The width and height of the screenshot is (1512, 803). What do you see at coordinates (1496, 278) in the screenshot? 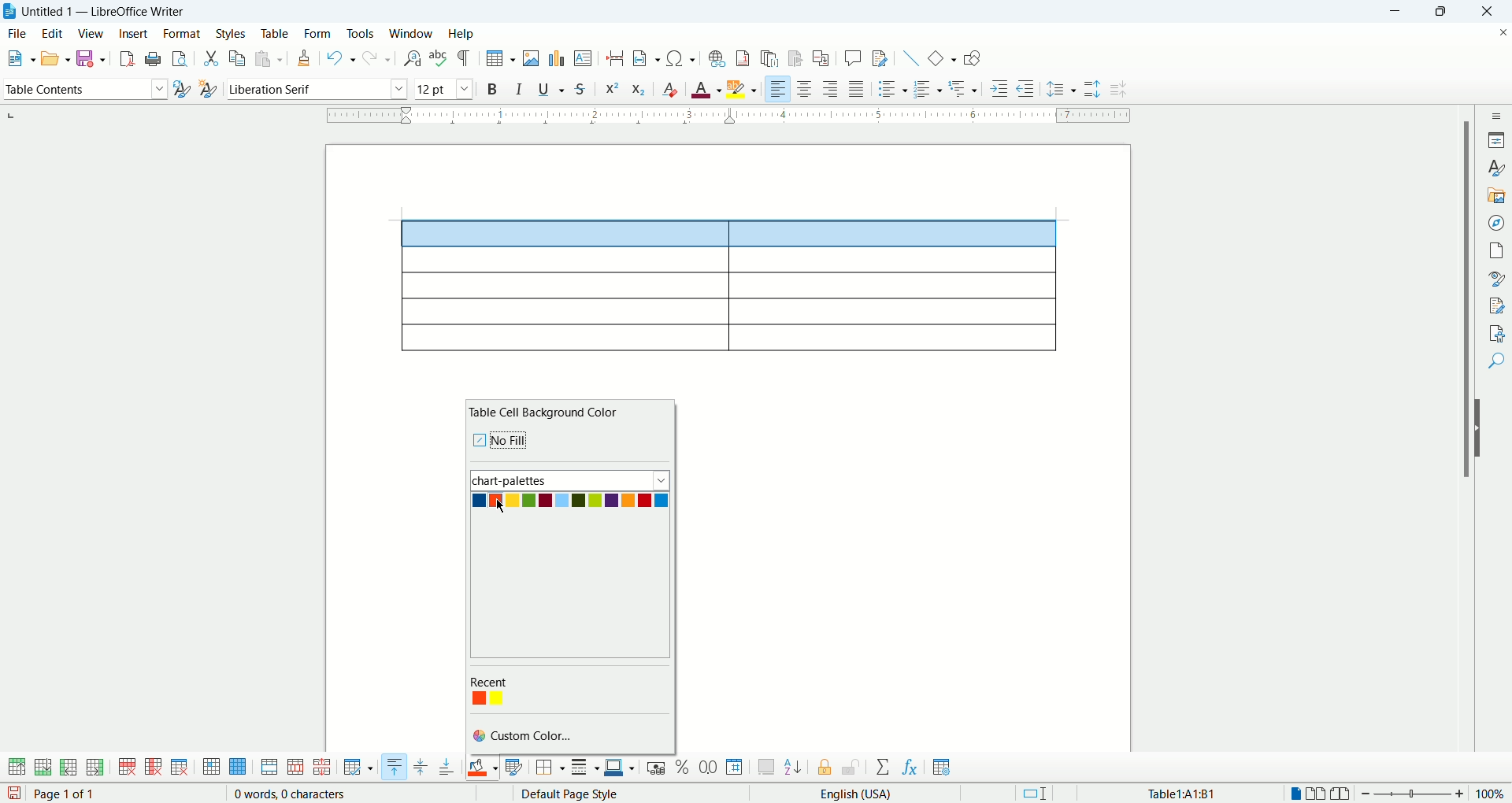
I see `style inspector` at bounding box center [1496, 278].